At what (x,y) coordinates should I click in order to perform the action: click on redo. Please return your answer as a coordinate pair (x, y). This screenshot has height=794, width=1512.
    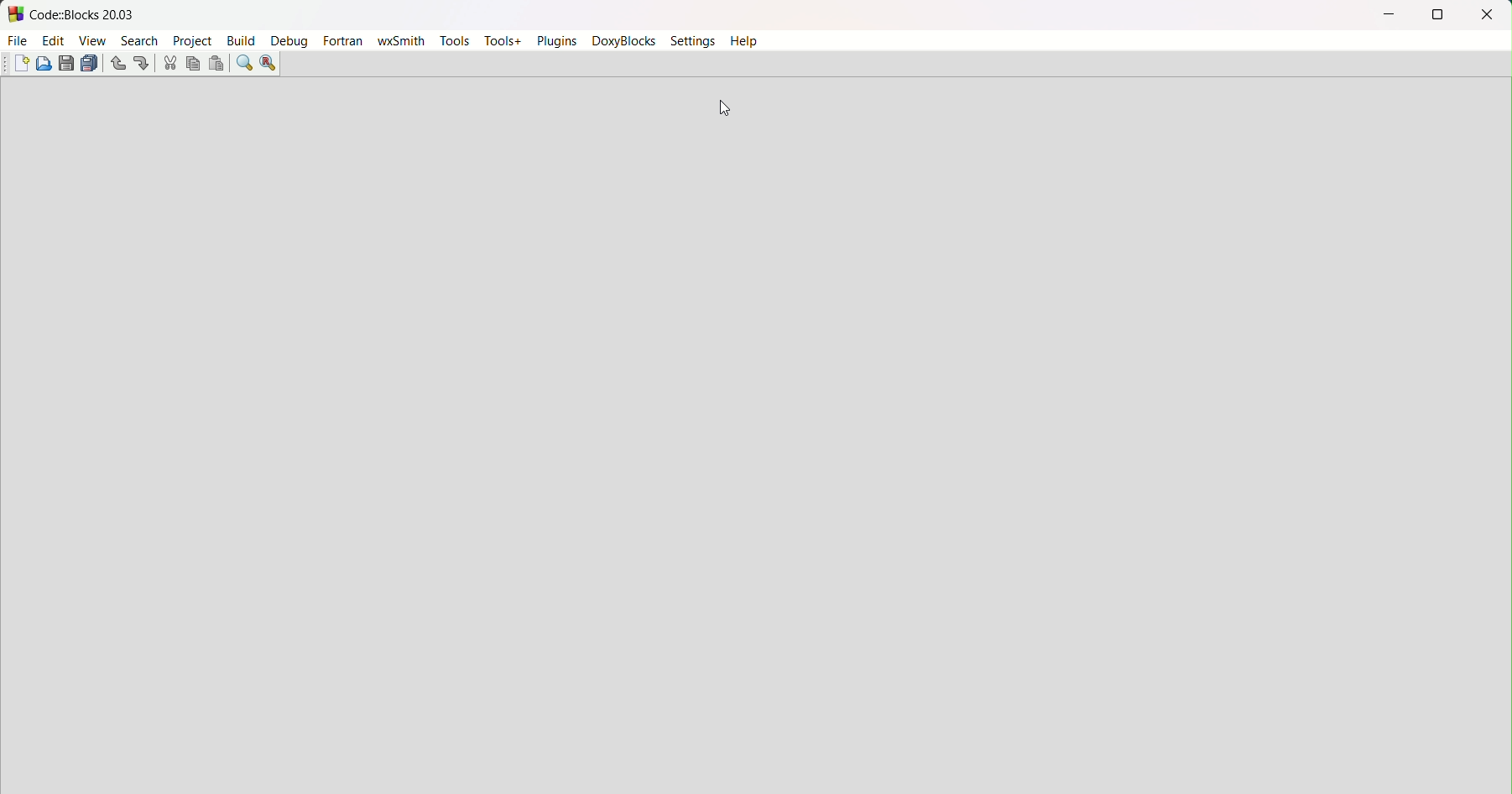
    Looking at the image, I should click on (141, 62).